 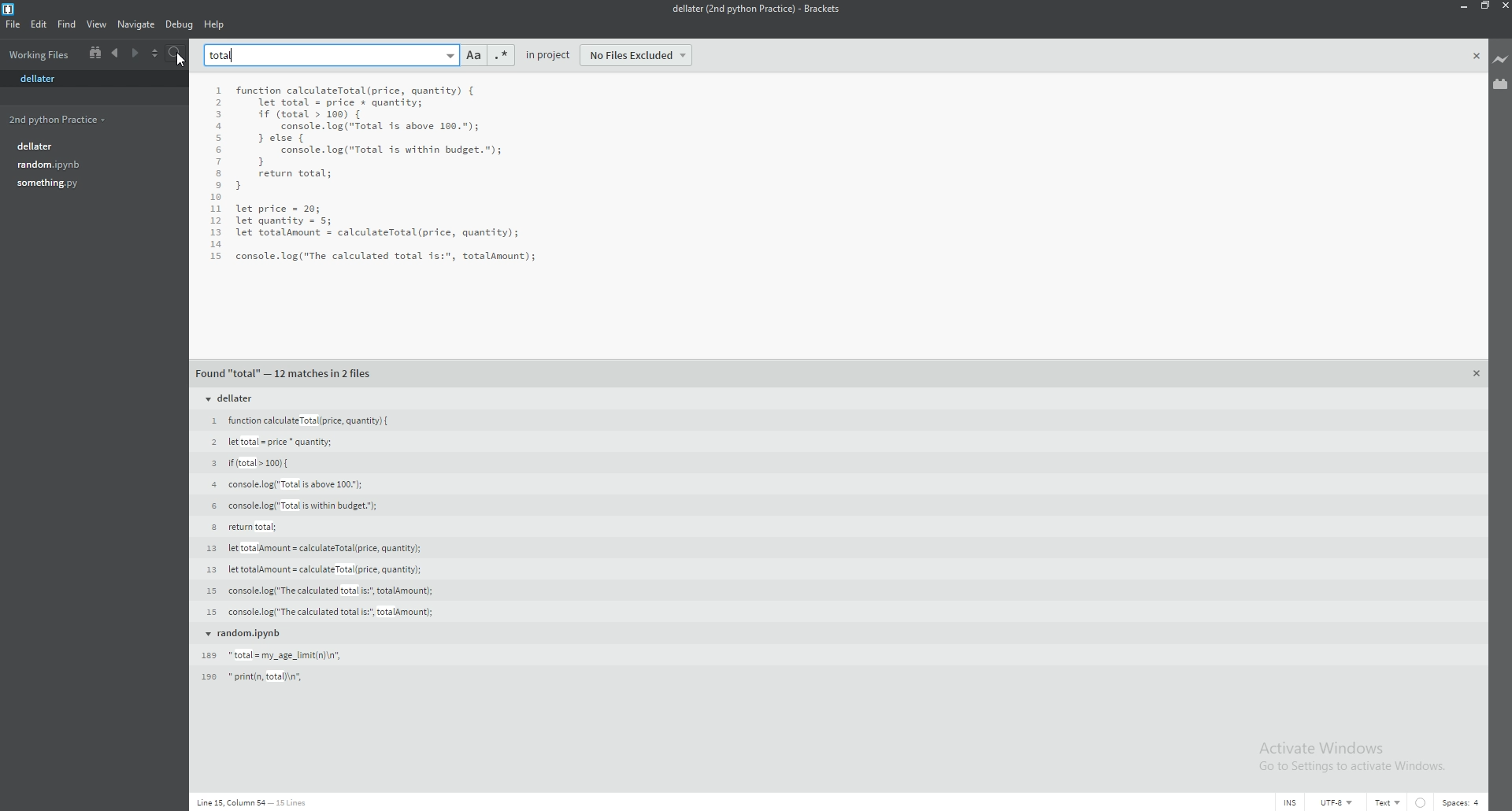 I want to click on random.ipynb, so click(x=246, y=633).